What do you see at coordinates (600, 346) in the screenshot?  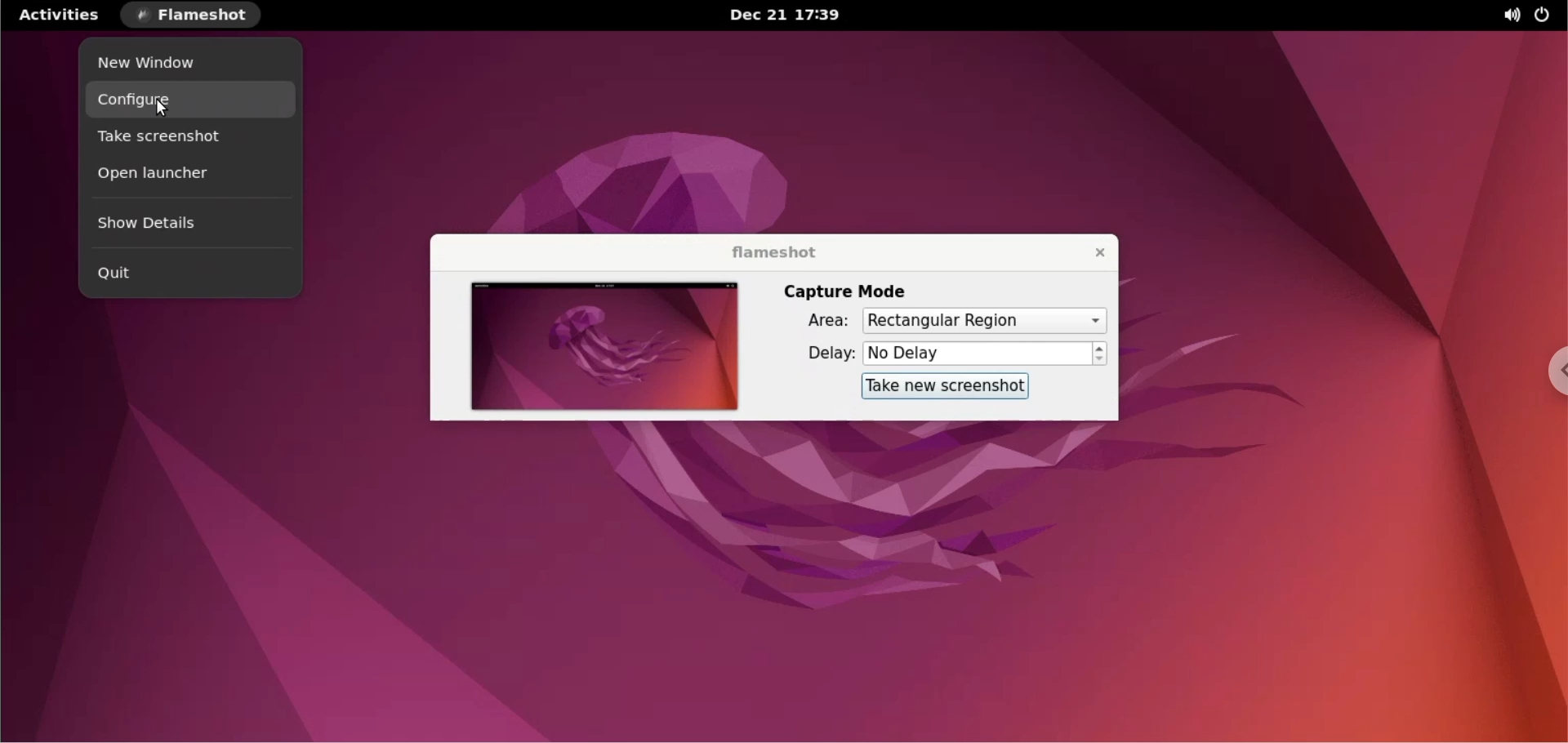 I see `screenshot preview` at bounding box center [600, 346].